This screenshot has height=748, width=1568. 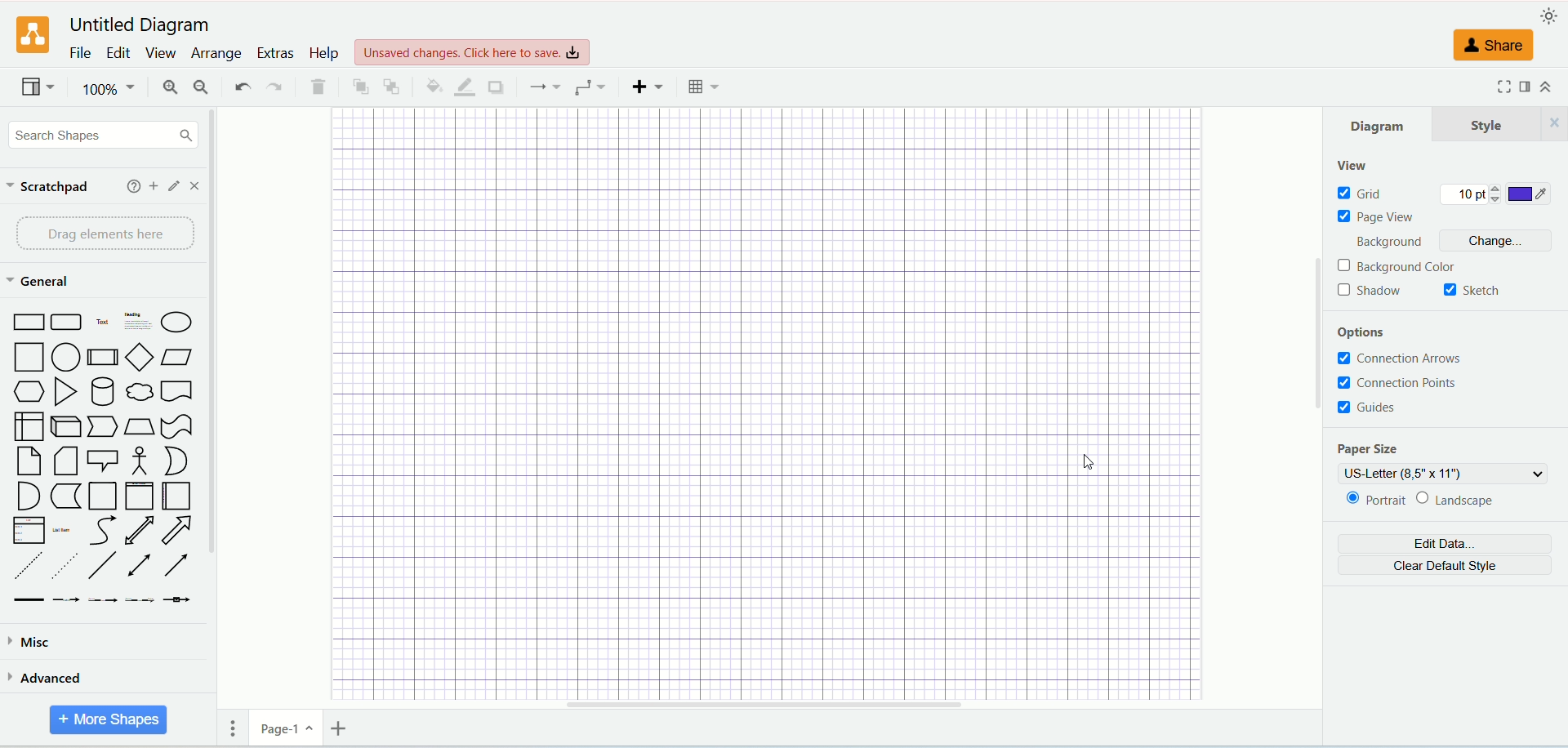 I want to click on file, so click(x=79, y=52).